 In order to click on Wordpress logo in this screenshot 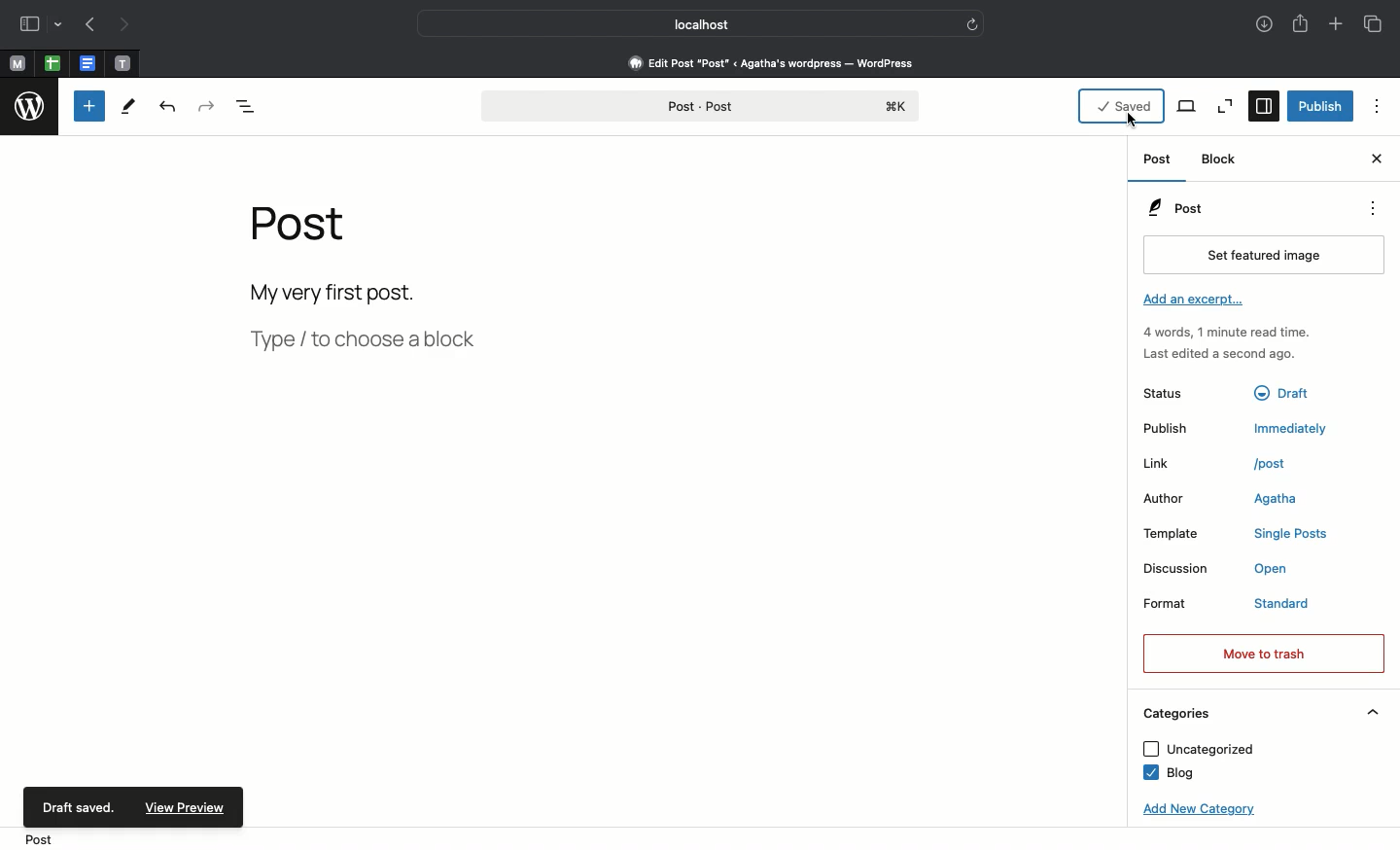, I will do `click(30, 109)`.